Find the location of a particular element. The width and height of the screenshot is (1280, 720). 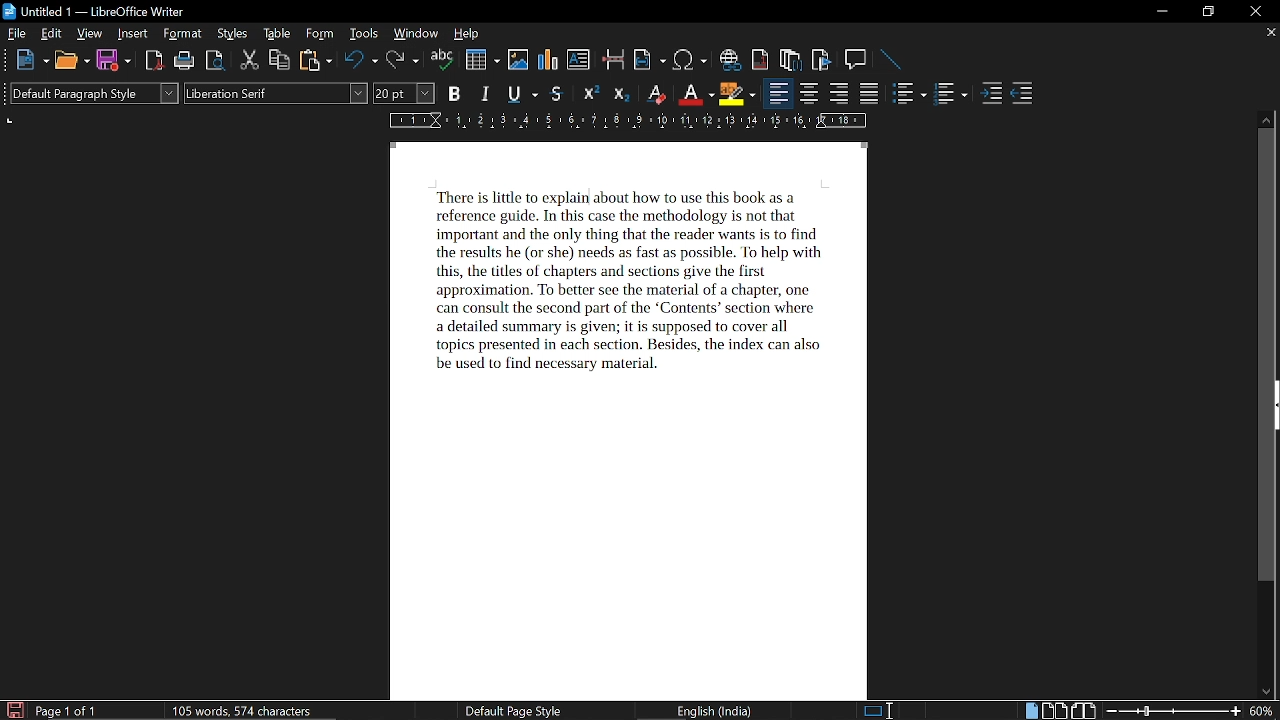

undo is located at coordinates (362, 62).